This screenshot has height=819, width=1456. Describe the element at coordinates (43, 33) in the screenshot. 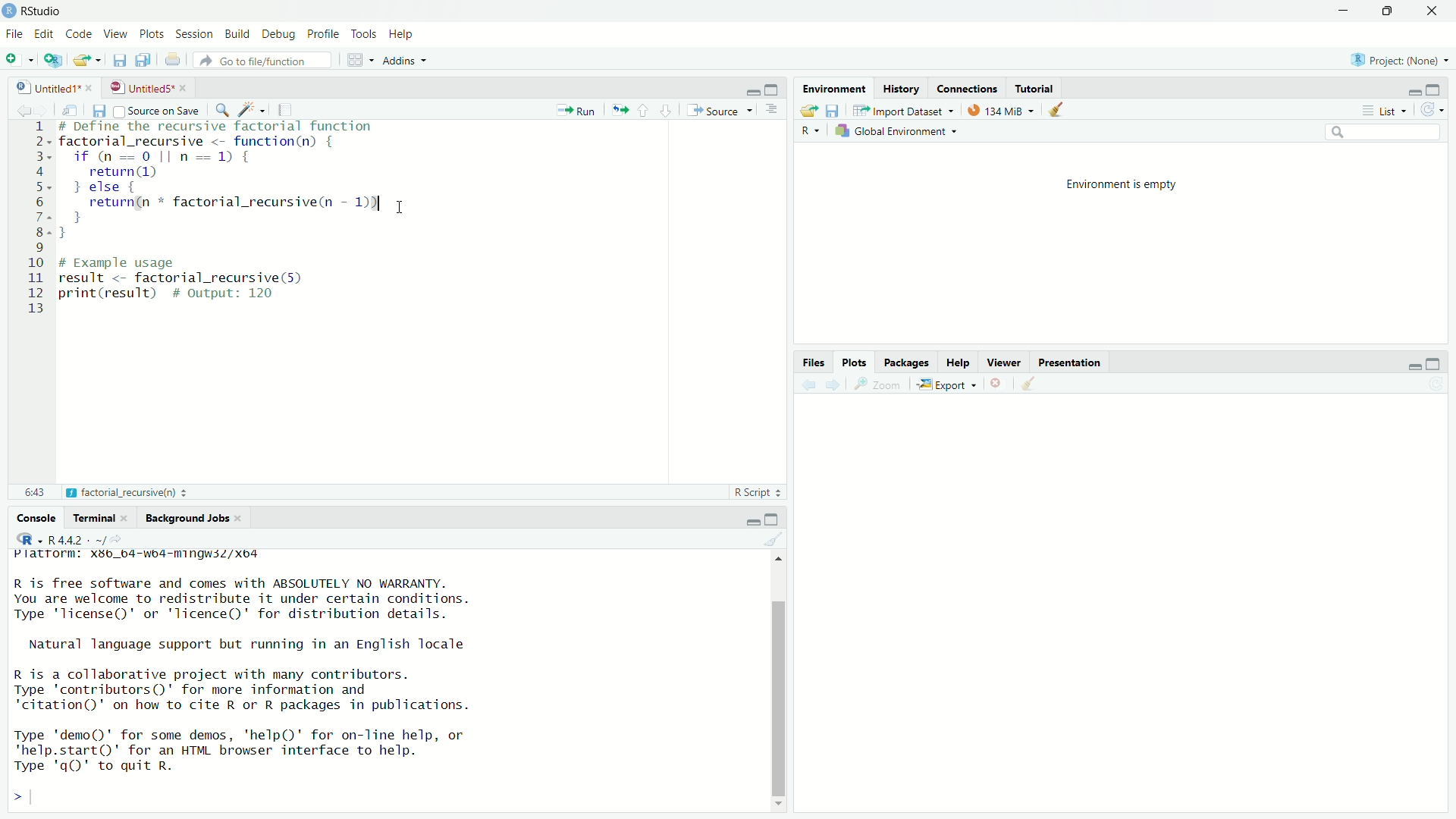

I see `Edit` at that location.